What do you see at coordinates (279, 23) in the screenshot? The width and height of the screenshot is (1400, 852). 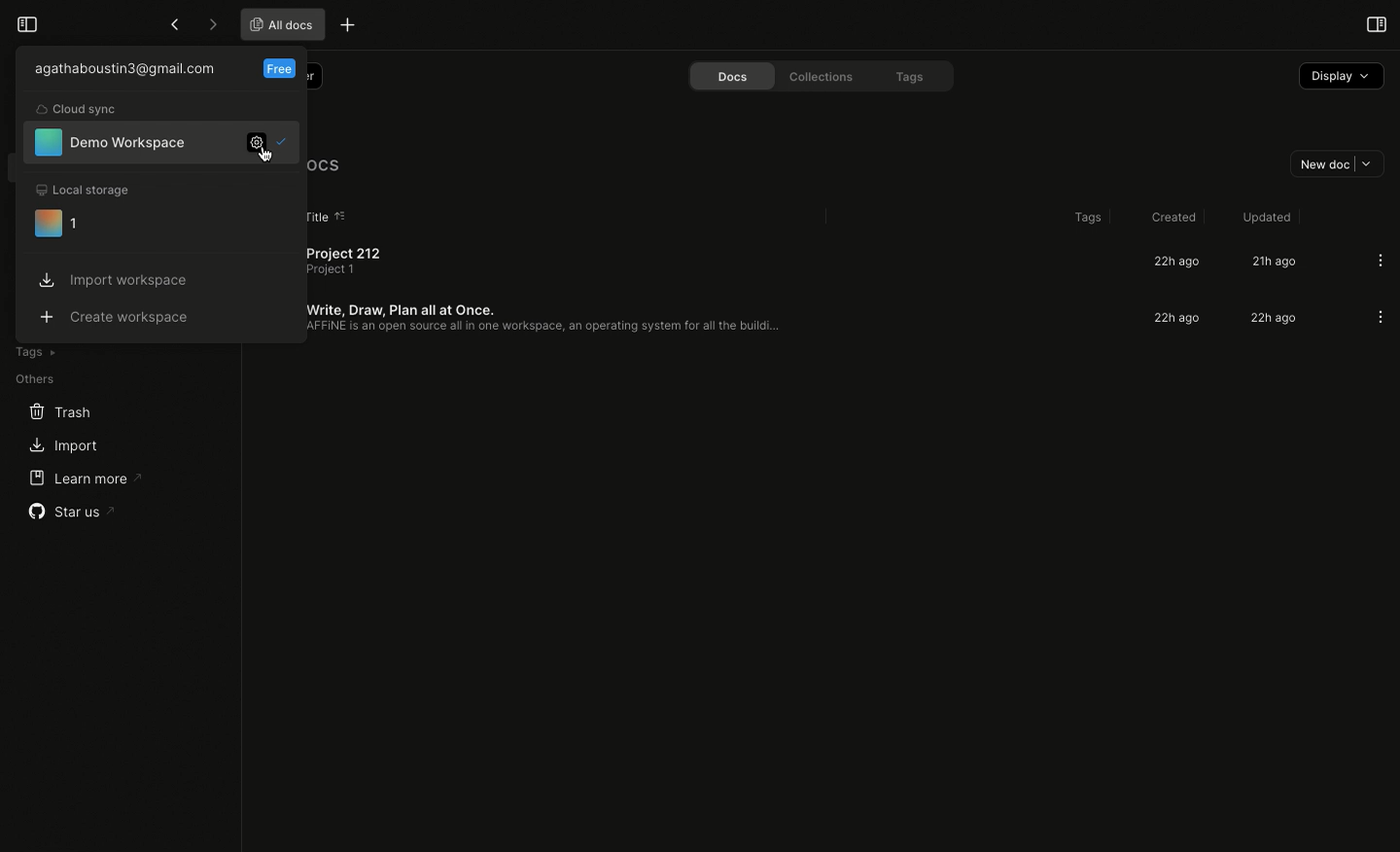 I see `All docs` at bounding box center [279, 23].